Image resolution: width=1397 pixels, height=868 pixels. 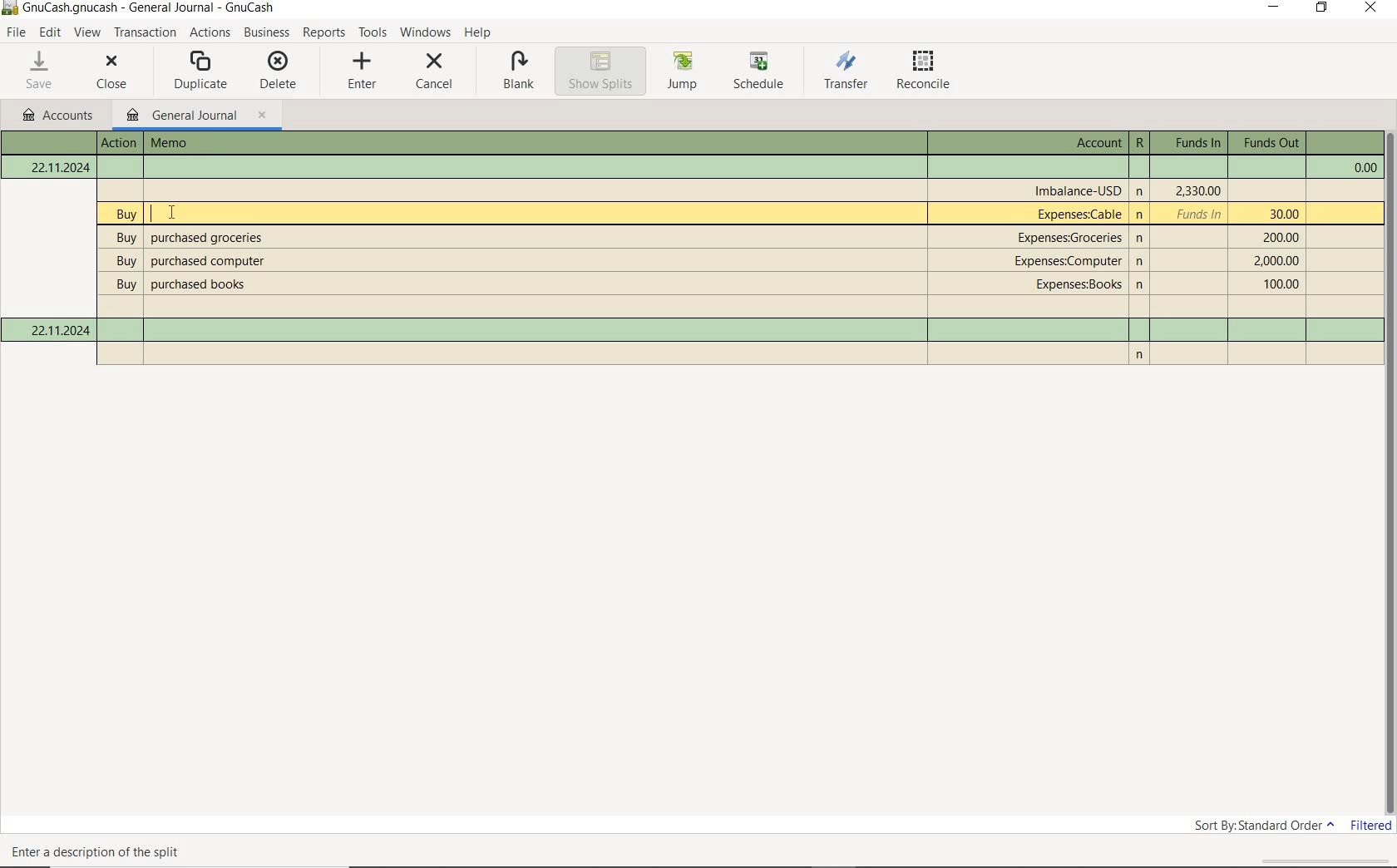 What do you see at coordinates (373, 33) in the screenshot?
I see `TOOLS` at bounding box center [373, 33].